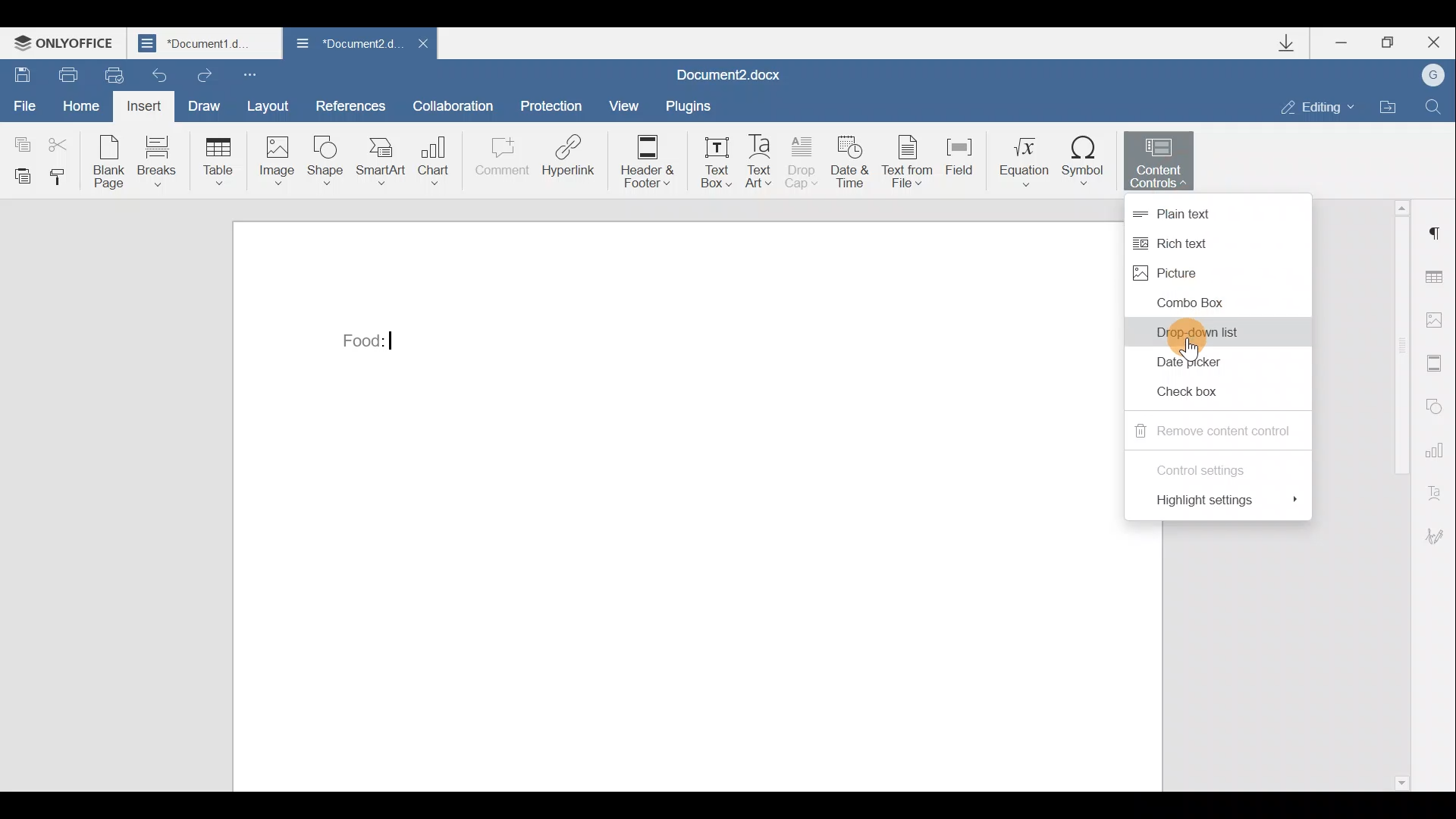 The image size is (1456, 819). Describe the element at coordinates (1438, 362) in the screenshot. I see `Header & footer settings` at that location.